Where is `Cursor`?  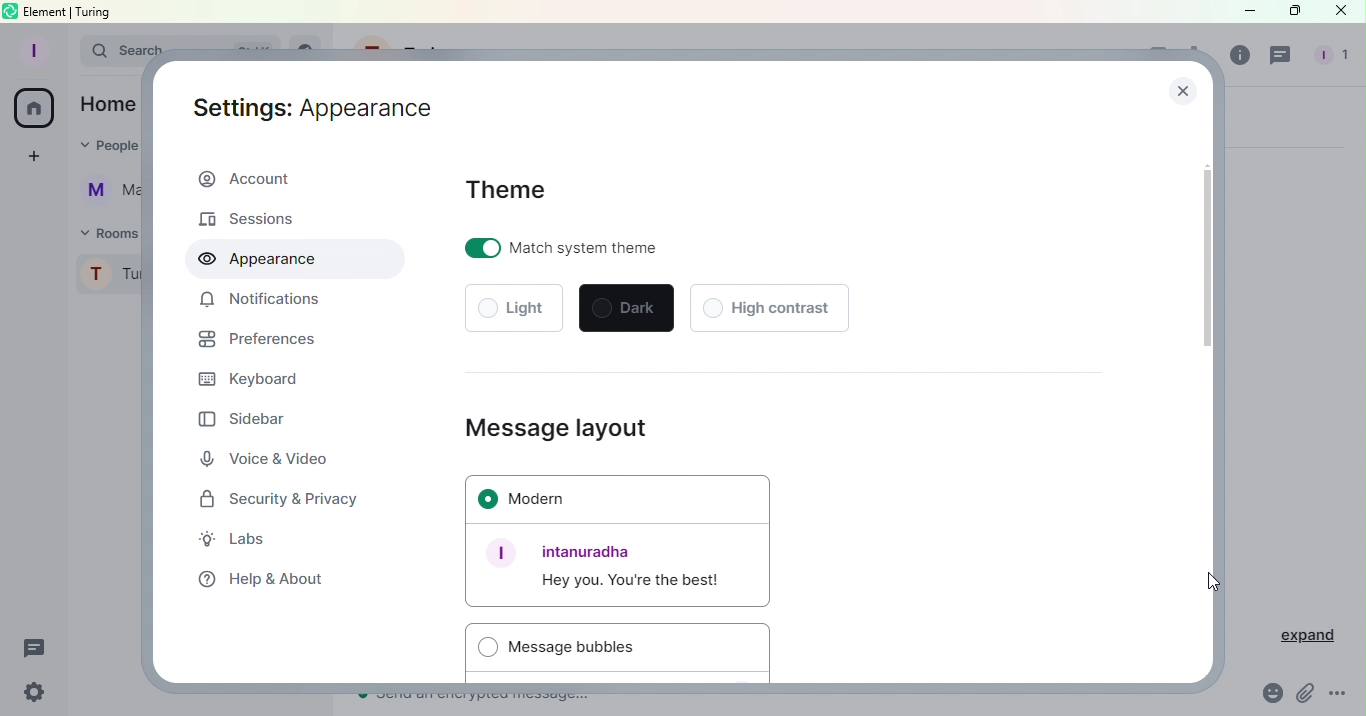
Cursor is located at coordinates (1210, 583).